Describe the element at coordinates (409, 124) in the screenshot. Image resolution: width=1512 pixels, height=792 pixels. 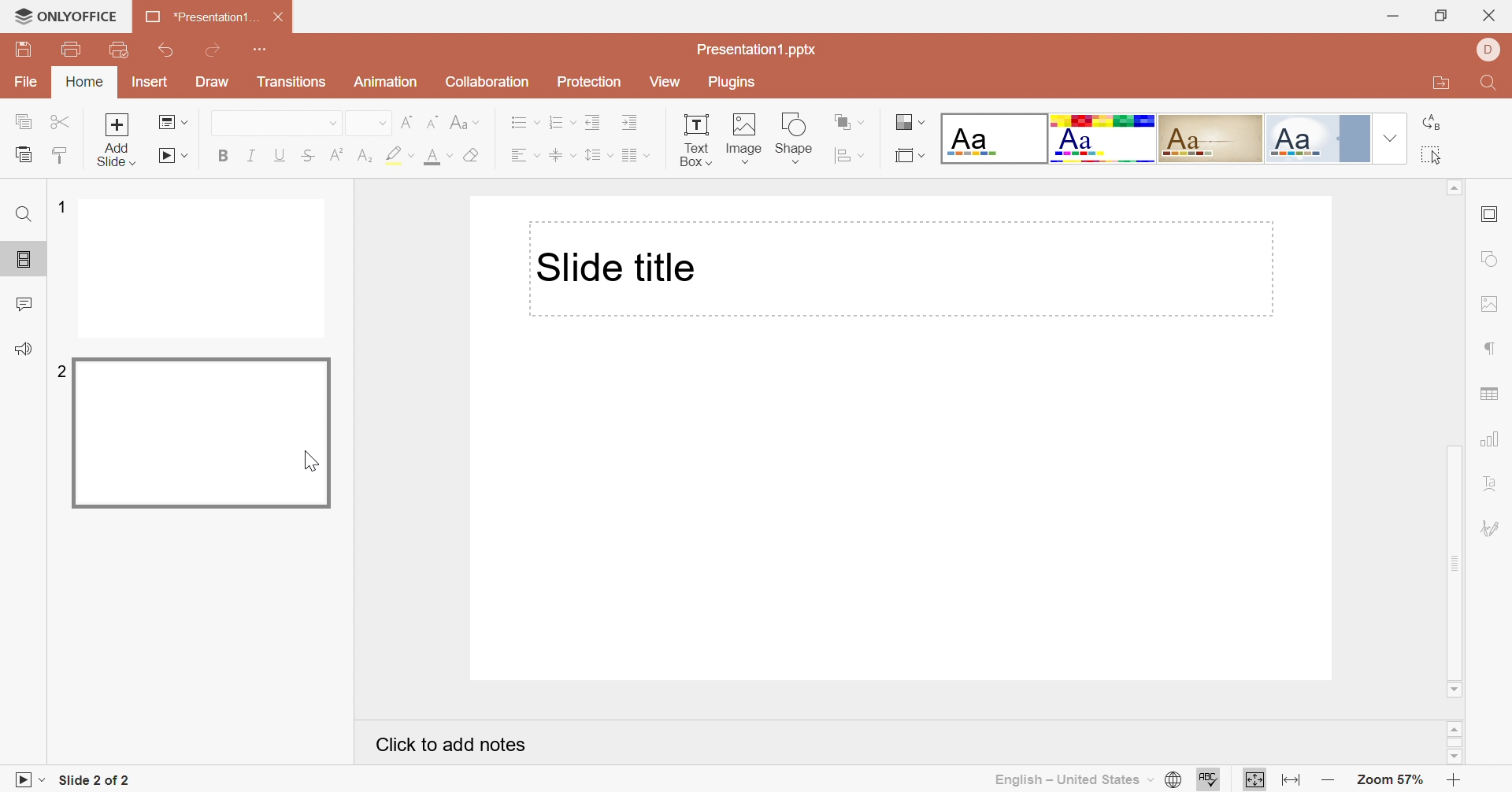
I see `Increment font size` at that location.